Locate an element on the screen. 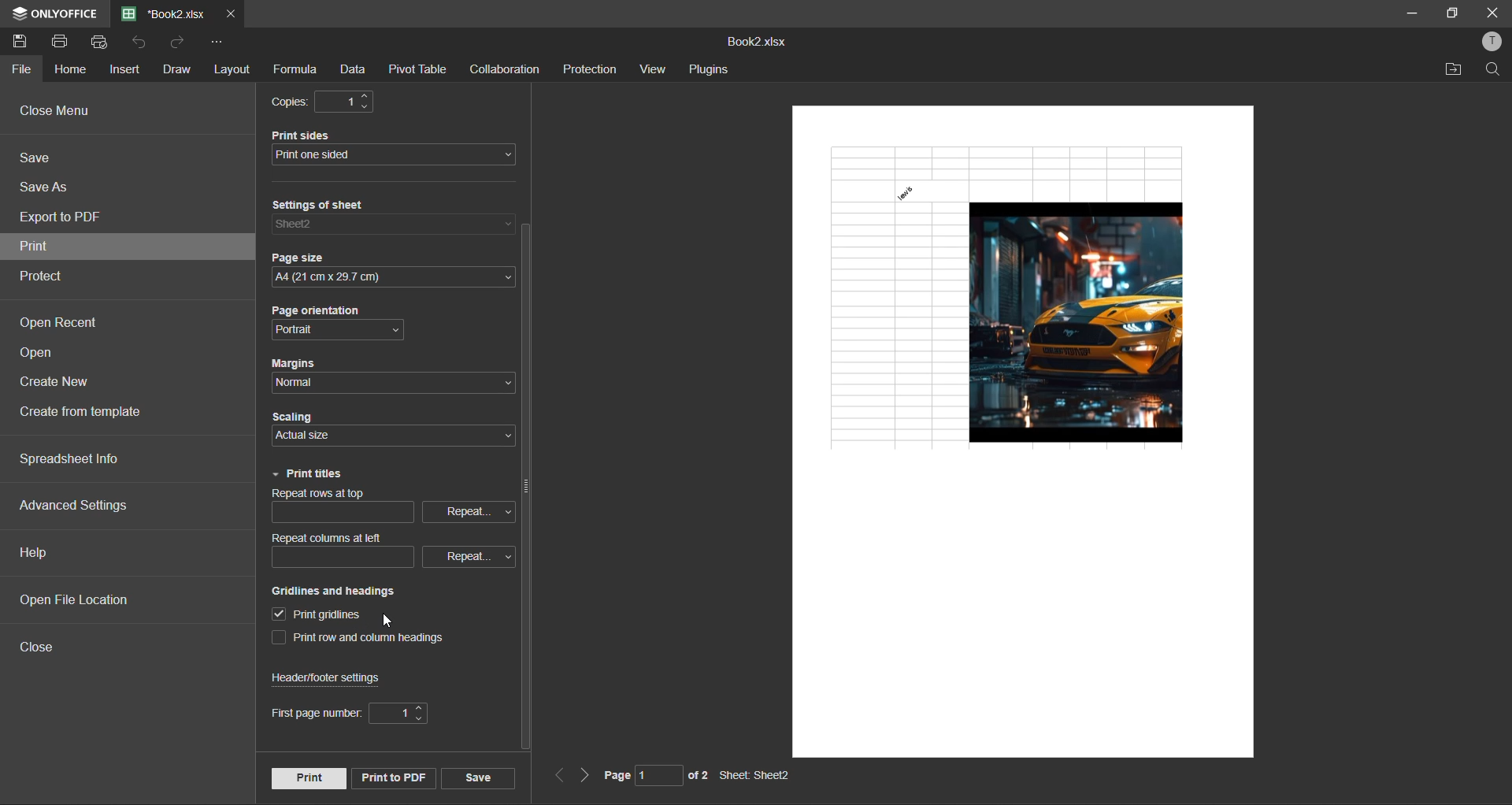 Image resolution: width=1512 pixels, height=805 pixels. close tab is located at coordinates (229, 11).